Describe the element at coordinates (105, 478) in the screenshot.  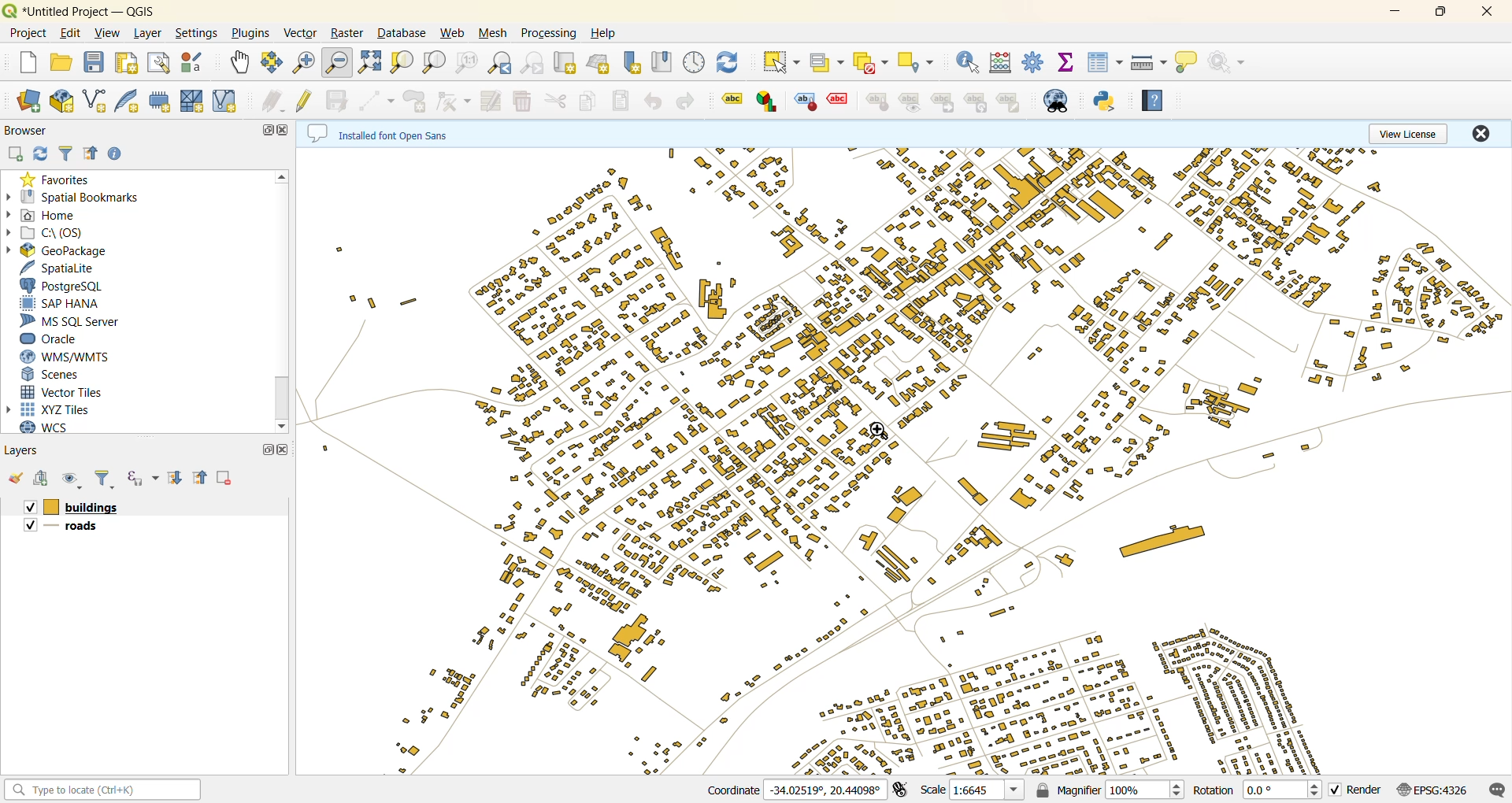
I see `filter` at that location.